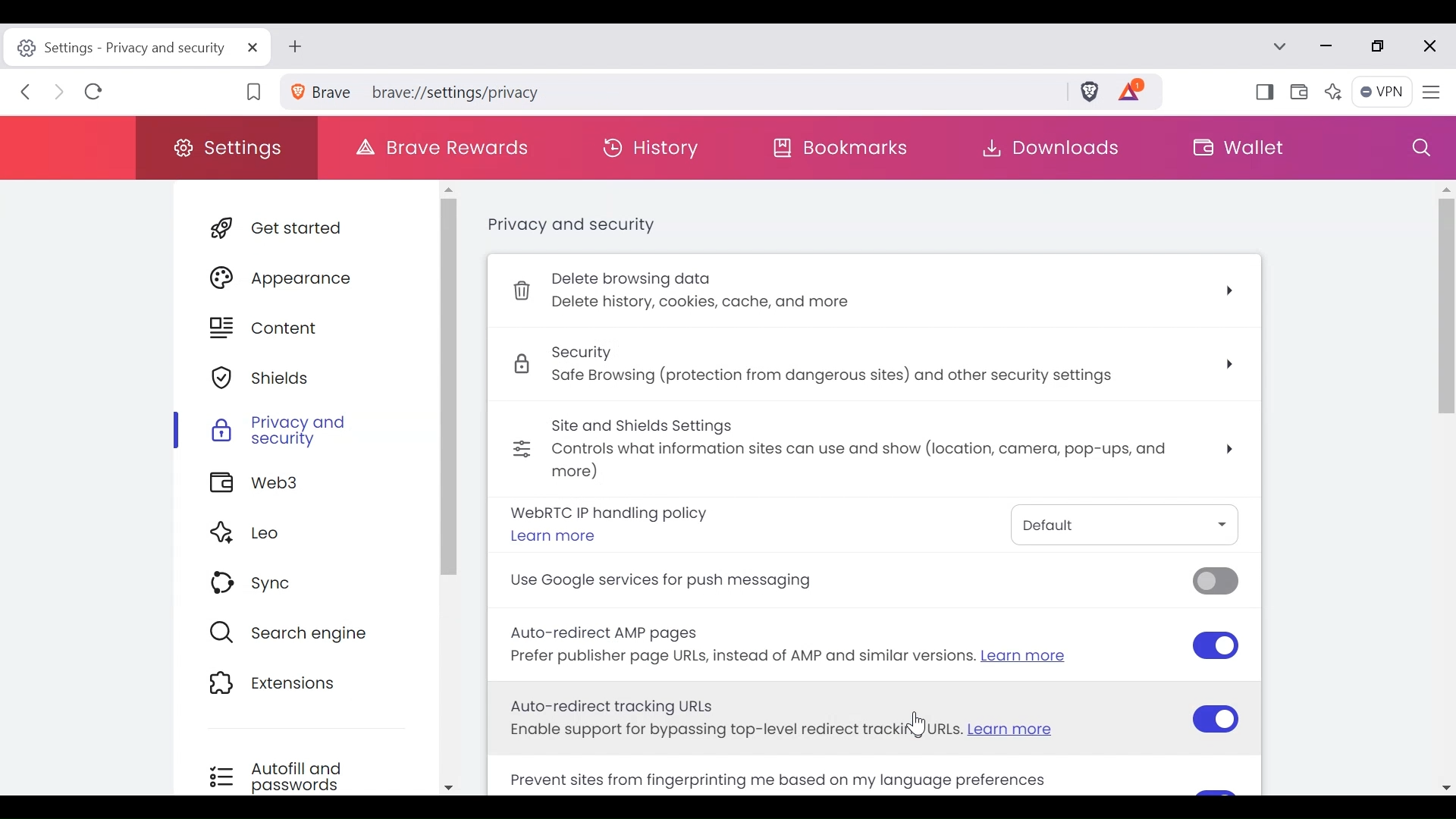  I want to click on Brave Shields, so click(1094, 93).